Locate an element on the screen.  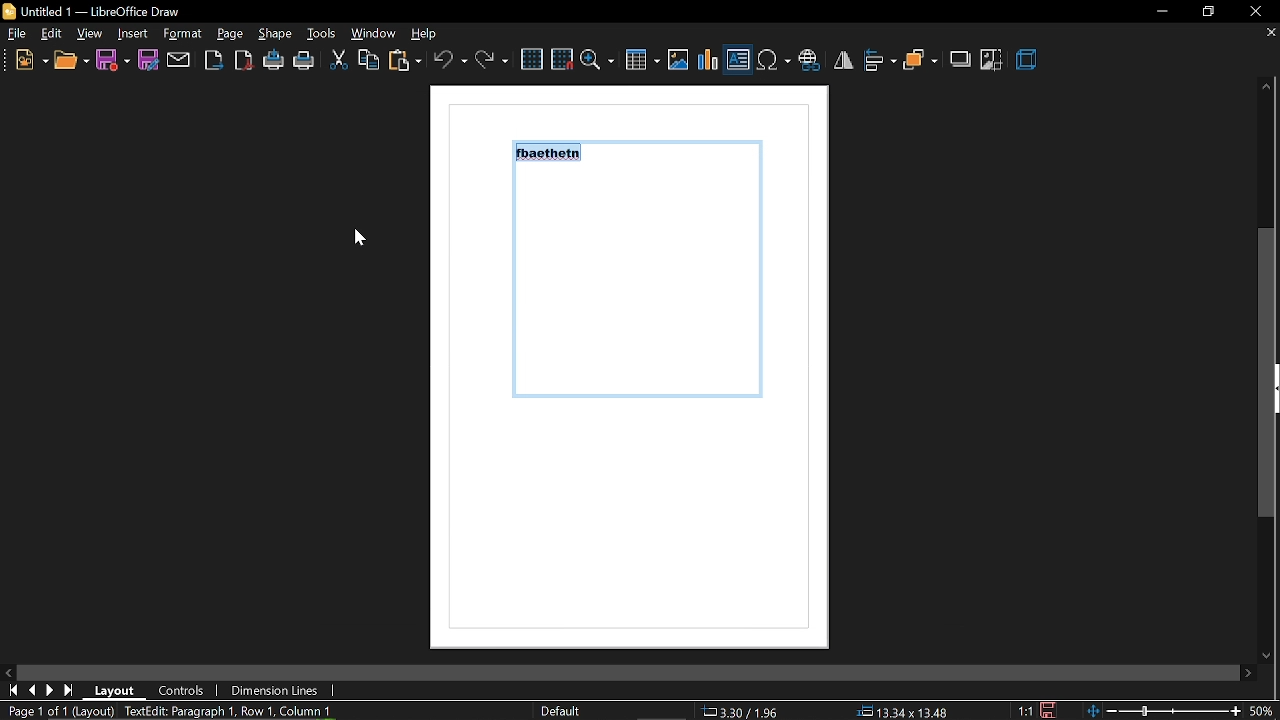
snap to grid is located at coordinates (562, 58).